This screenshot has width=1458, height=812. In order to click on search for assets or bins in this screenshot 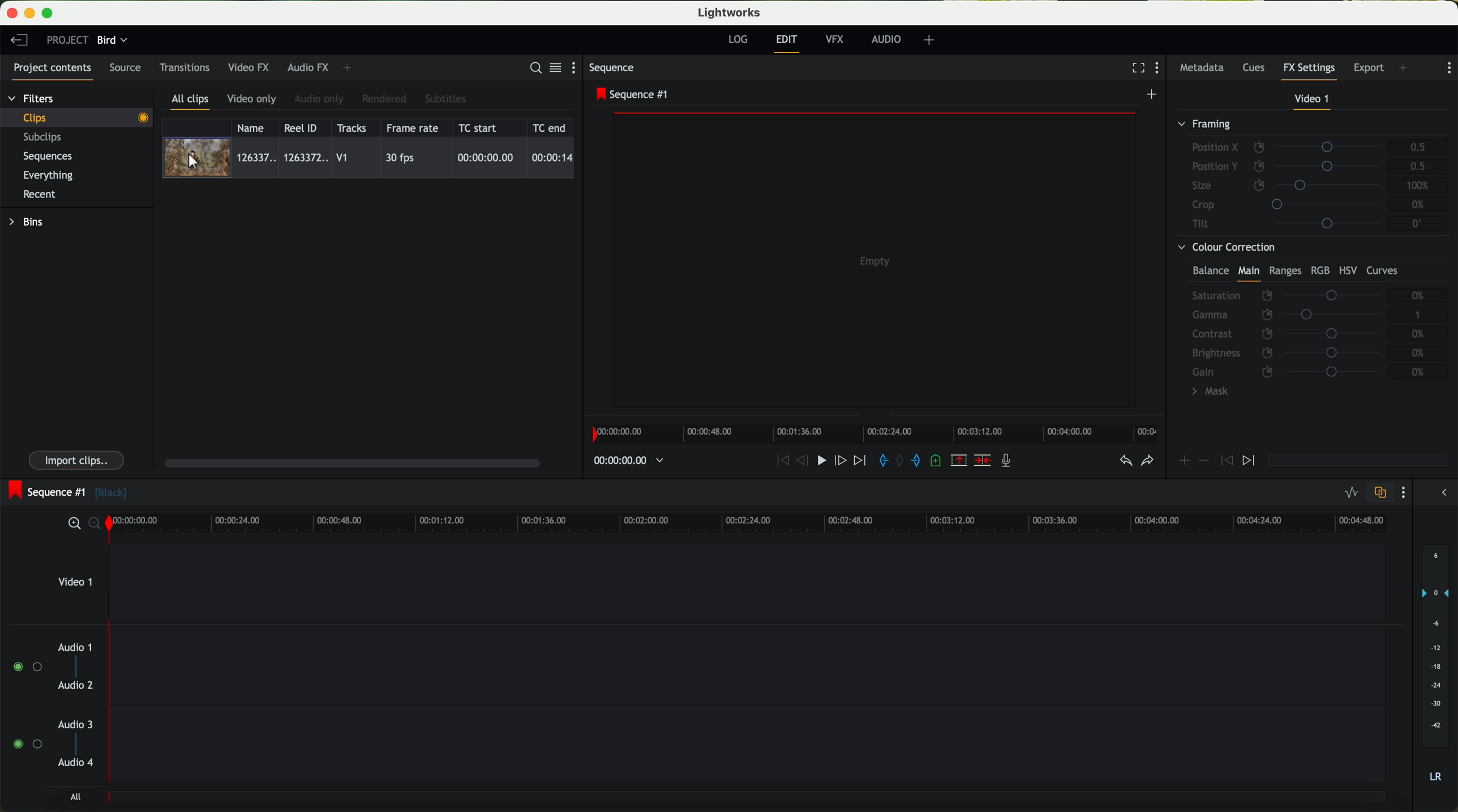, I will do `click(532, 68)`.